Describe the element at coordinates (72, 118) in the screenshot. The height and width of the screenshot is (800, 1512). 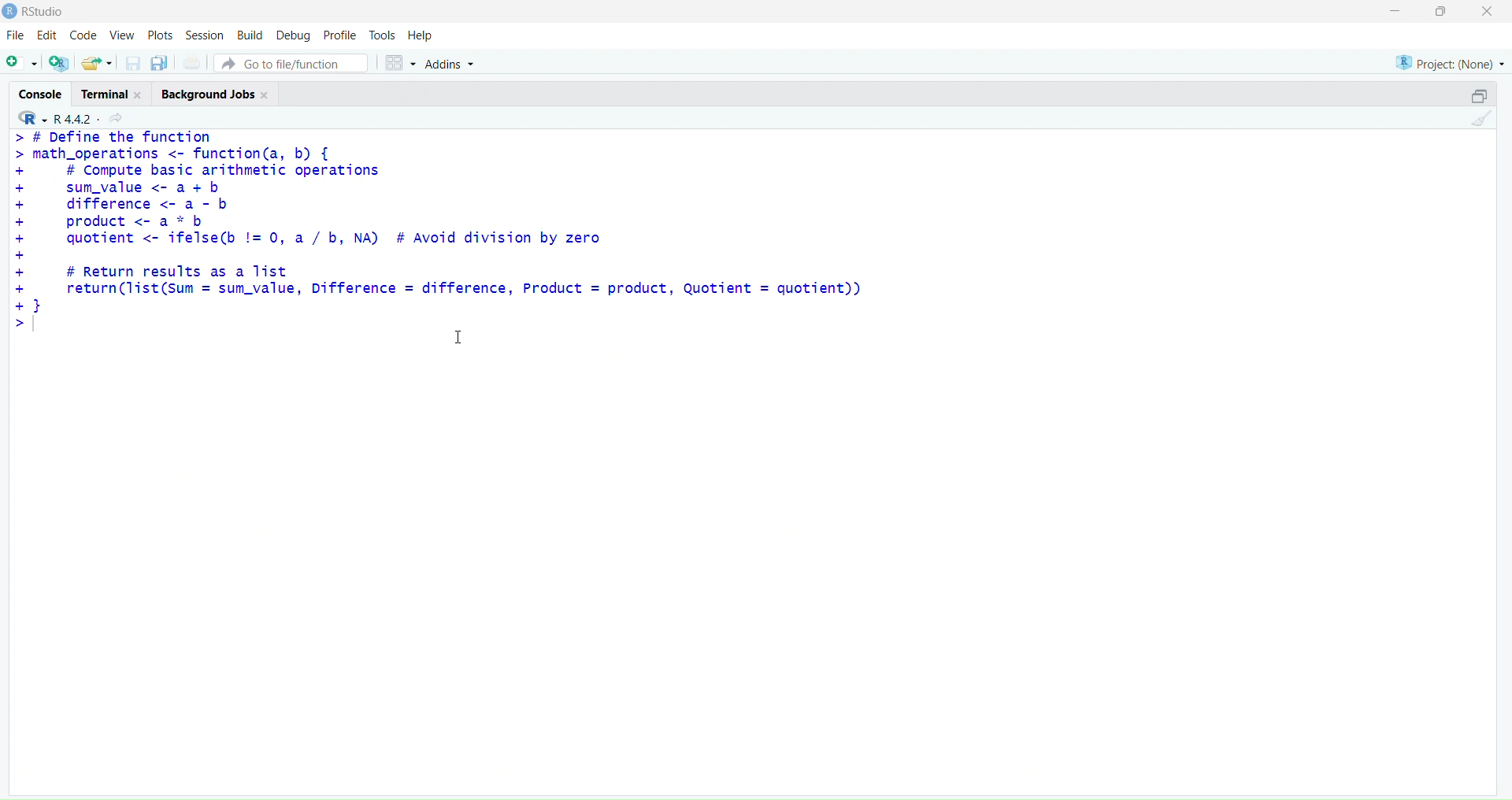
I see `R 4.4.2` at that location.